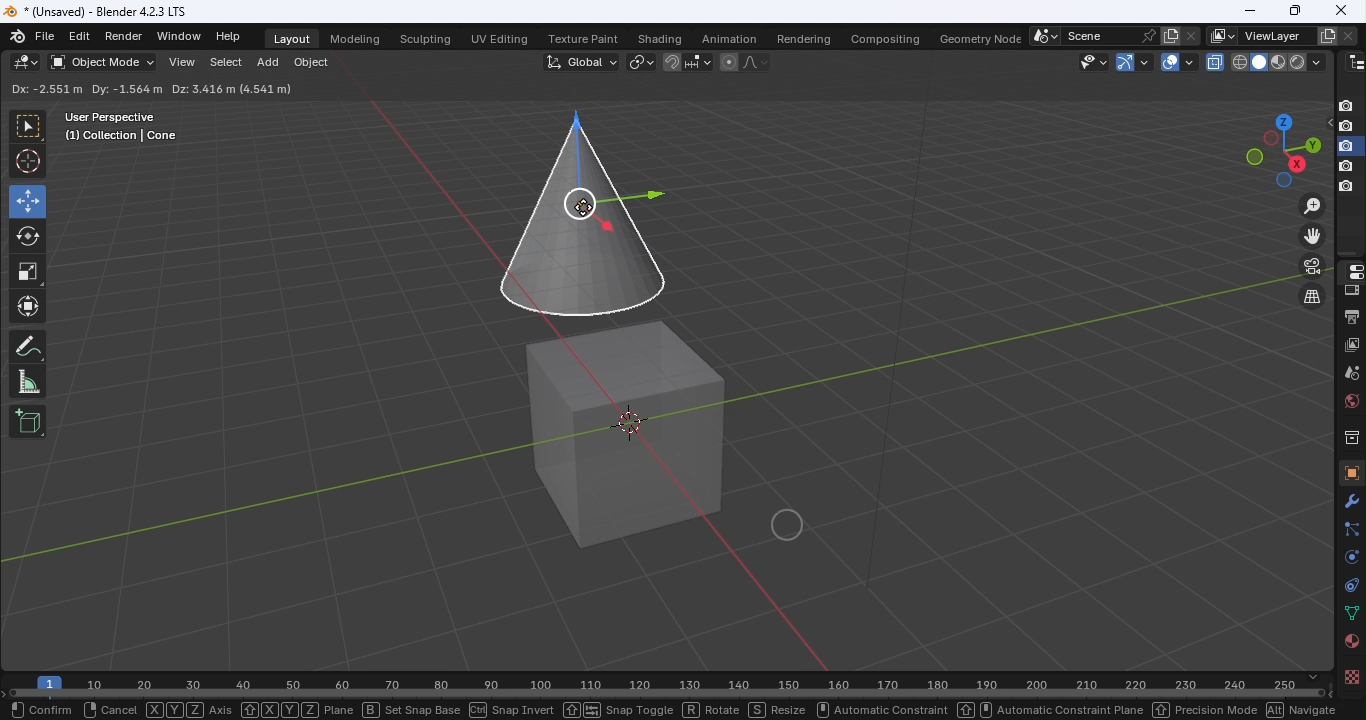 Image resolution: width=1366 pixels, height=720 pixels. I want to click on Show overlays, so click(1169, 62).